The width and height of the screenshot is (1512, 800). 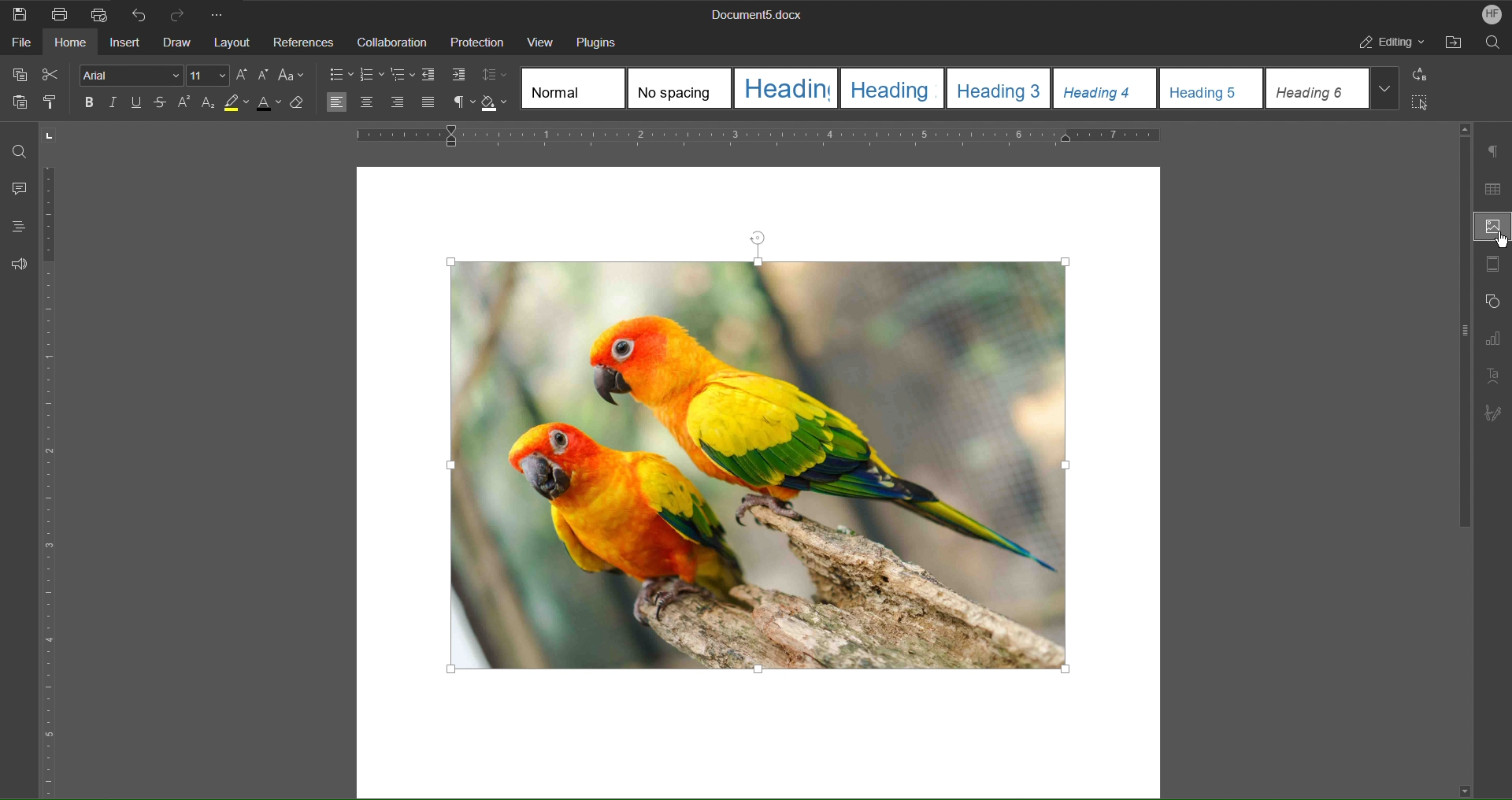 I want to click on Text Color, so click(x=274, y=107).